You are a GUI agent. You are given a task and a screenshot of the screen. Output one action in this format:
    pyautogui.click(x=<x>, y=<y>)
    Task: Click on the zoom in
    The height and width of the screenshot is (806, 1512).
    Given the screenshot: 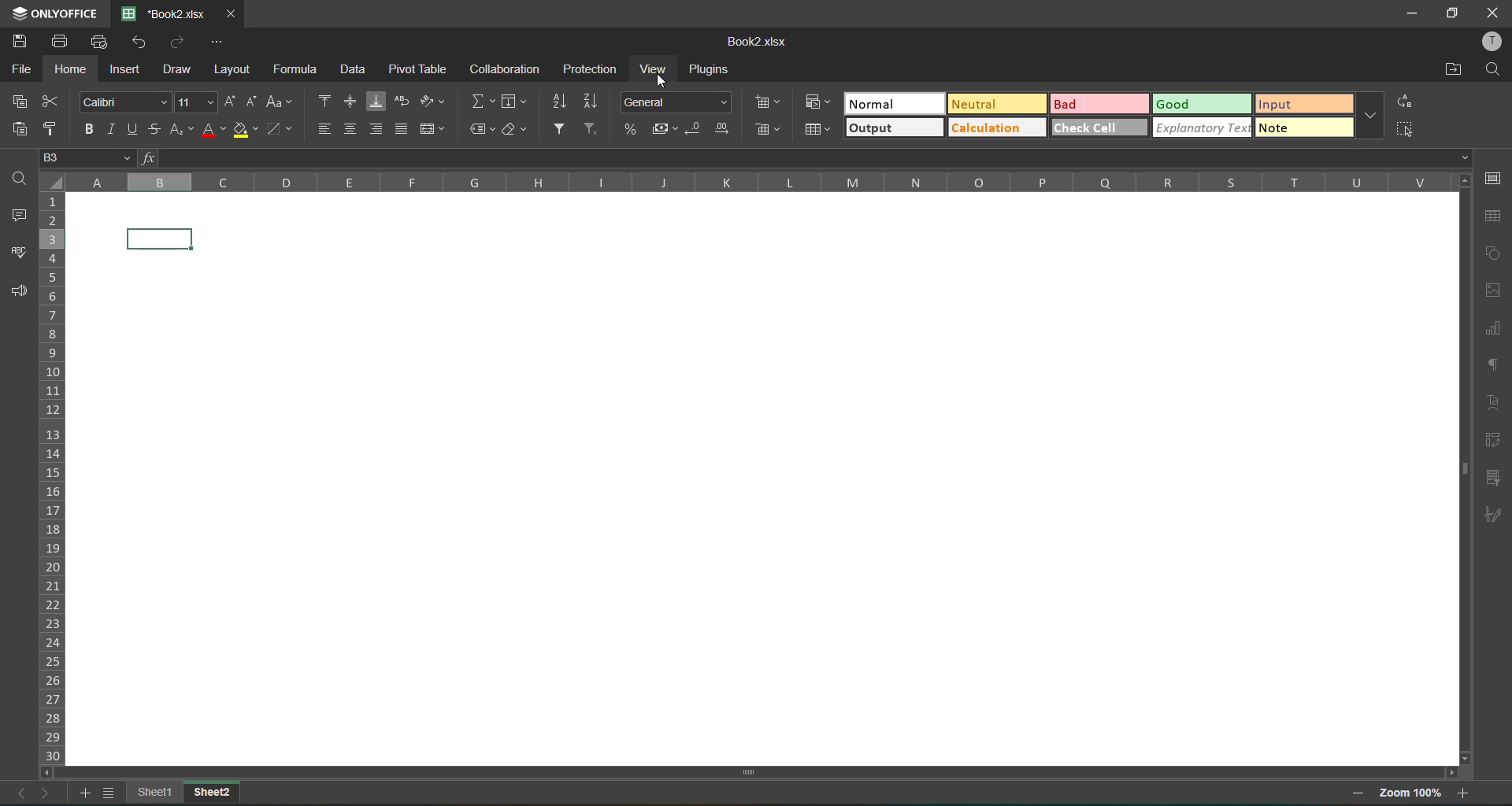 What is the action you would take?
    pyautogui.click(x=1464, y=793)
    